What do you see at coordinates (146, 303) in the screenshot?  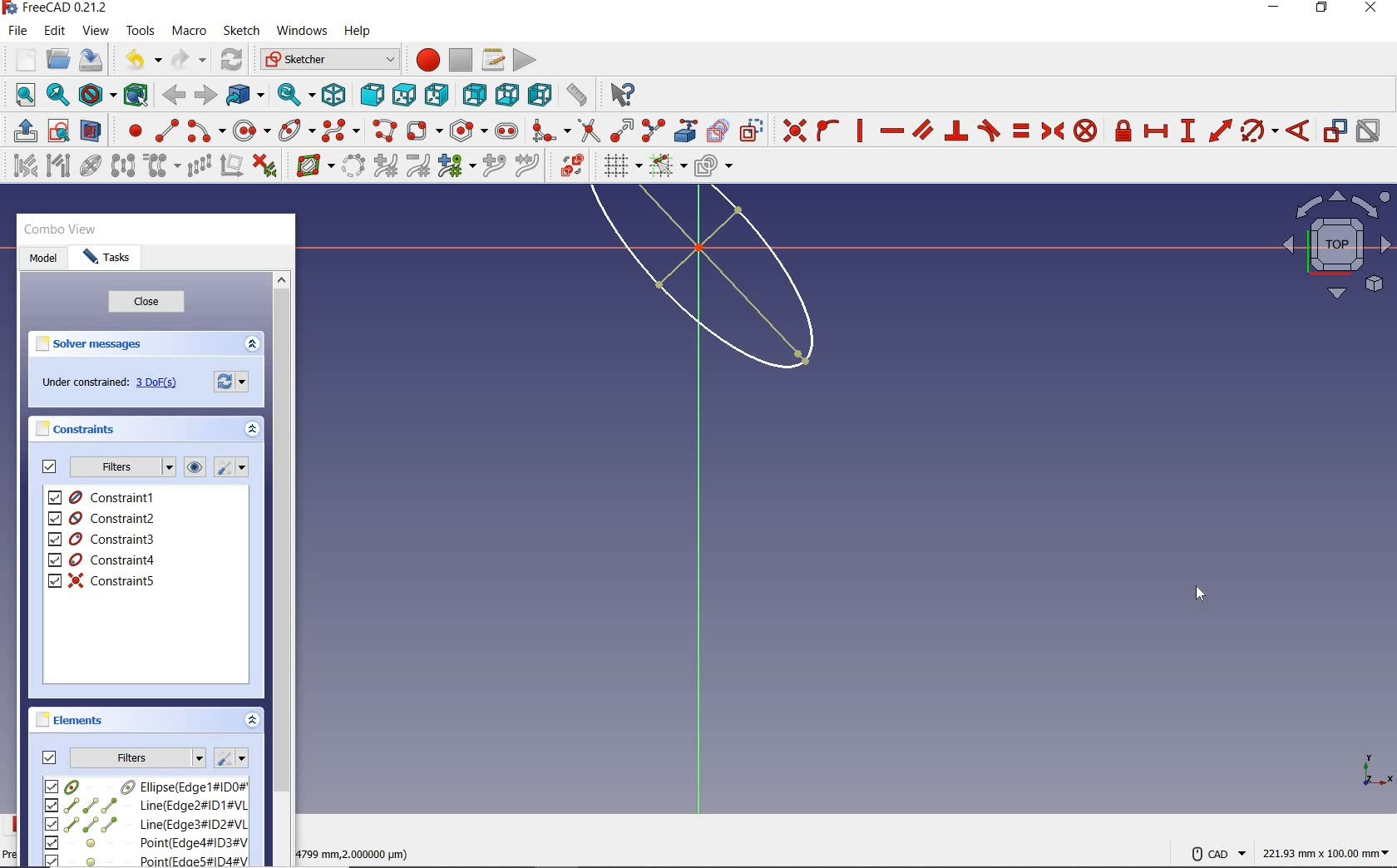 I see `close` at bounding box center [146, 303].